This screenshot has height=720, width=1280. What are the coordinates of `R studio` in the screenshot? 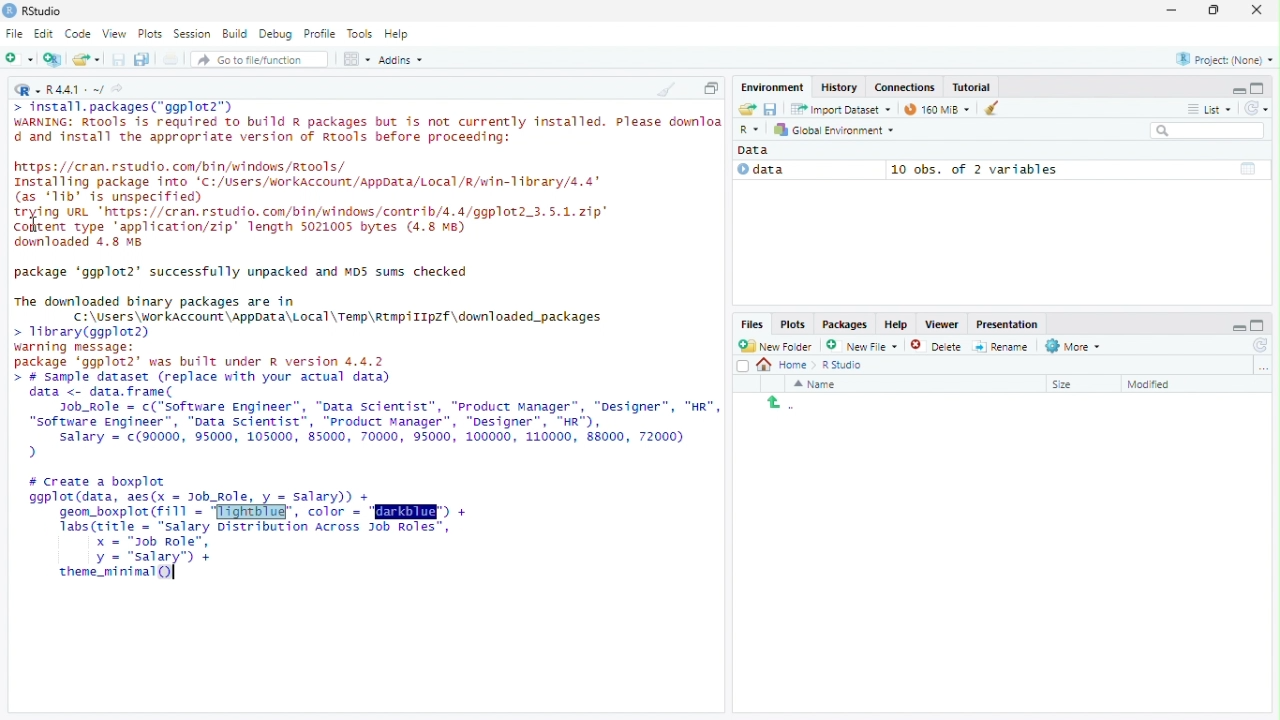 It's located at (842, 365).